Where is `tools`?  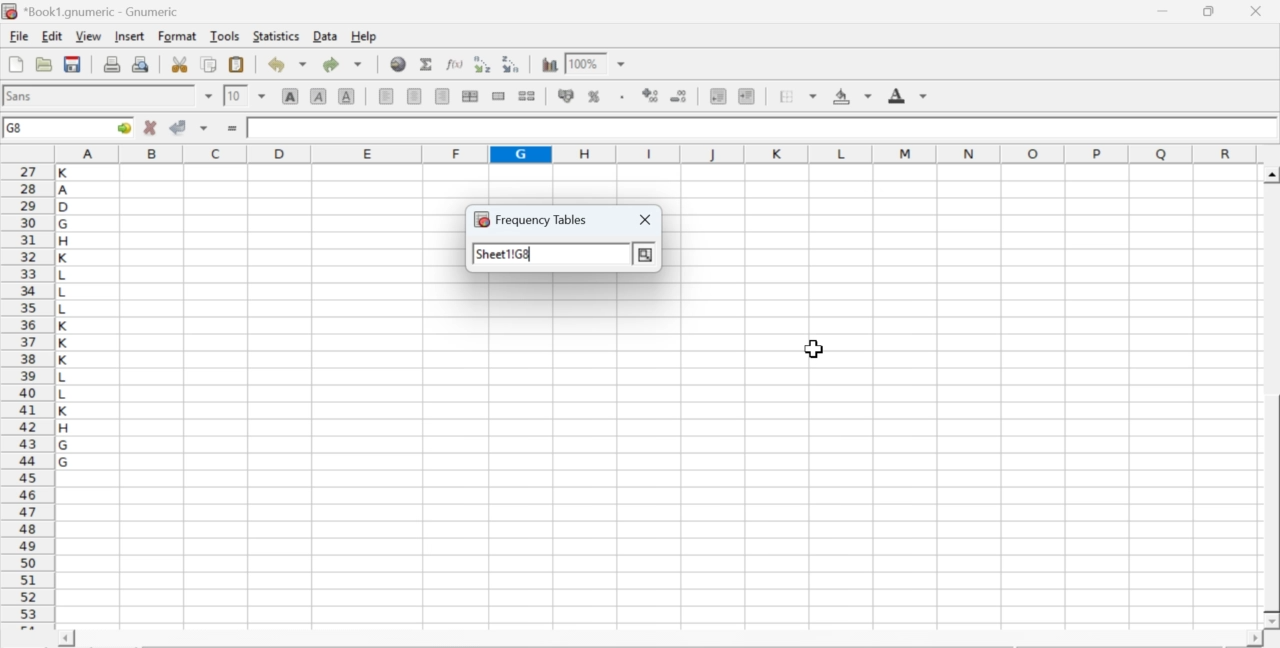
tools is located at coordinates (226, 35).